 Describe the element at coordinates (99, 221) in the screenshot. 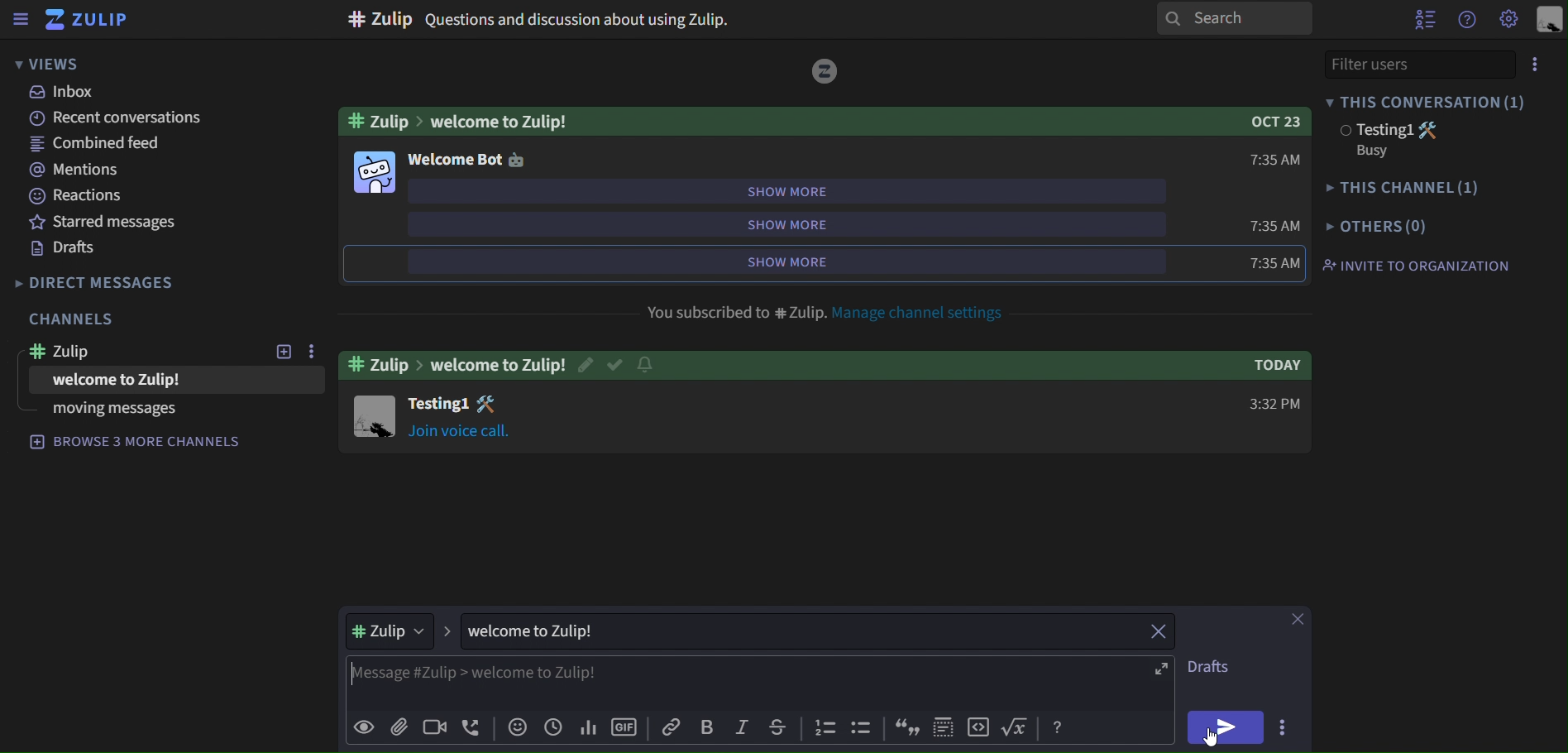

I see `starred messages` at that location.